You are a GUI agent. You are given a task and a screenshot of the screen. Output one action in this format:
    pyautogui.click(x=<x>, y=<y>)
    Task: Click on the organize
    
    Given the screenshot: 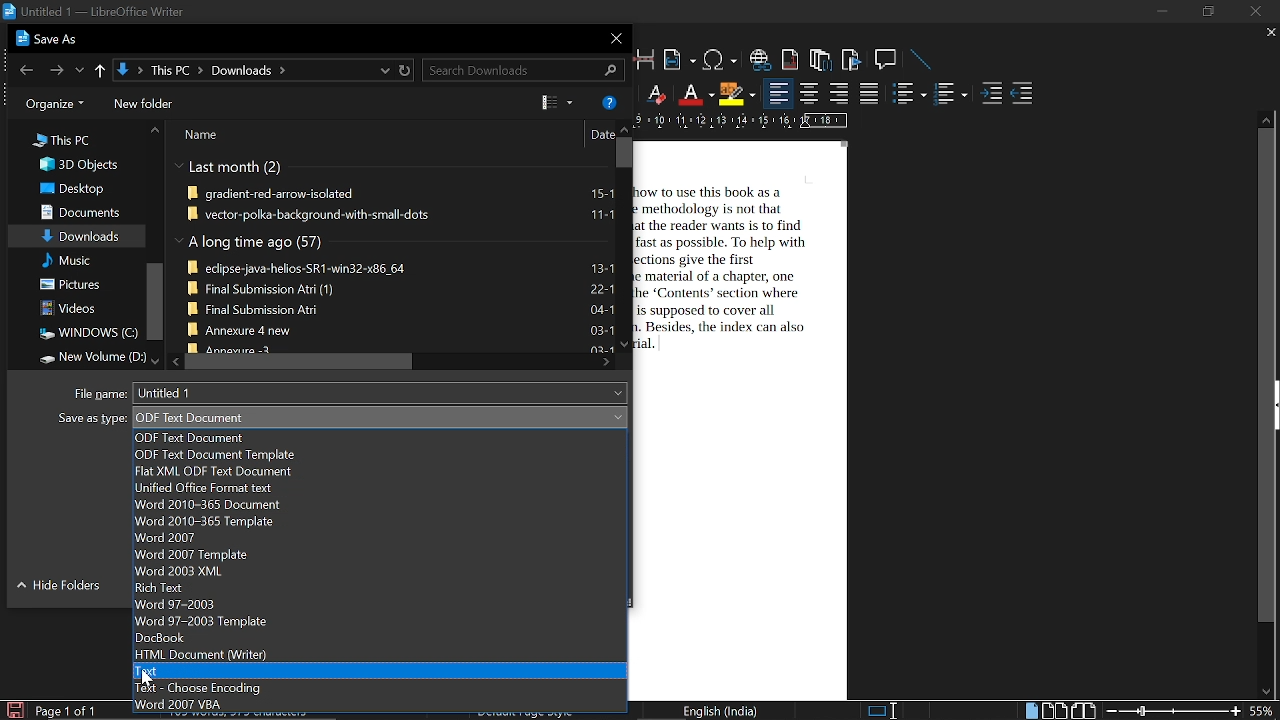 What is the action you would take?
    pyautogui.click(x=50, y=104)
    